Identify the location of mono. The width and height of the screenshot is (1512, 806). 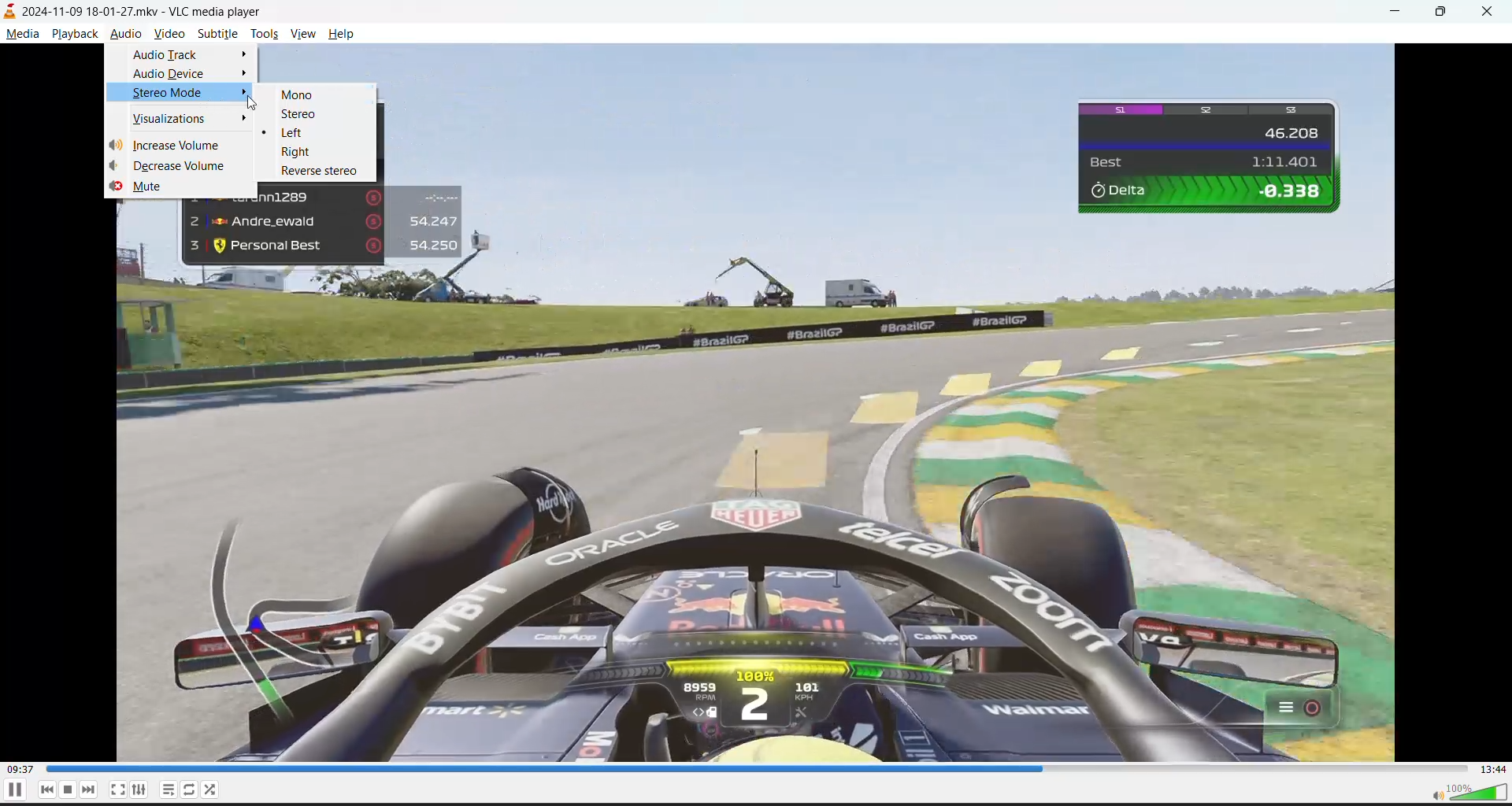
(295, 95).